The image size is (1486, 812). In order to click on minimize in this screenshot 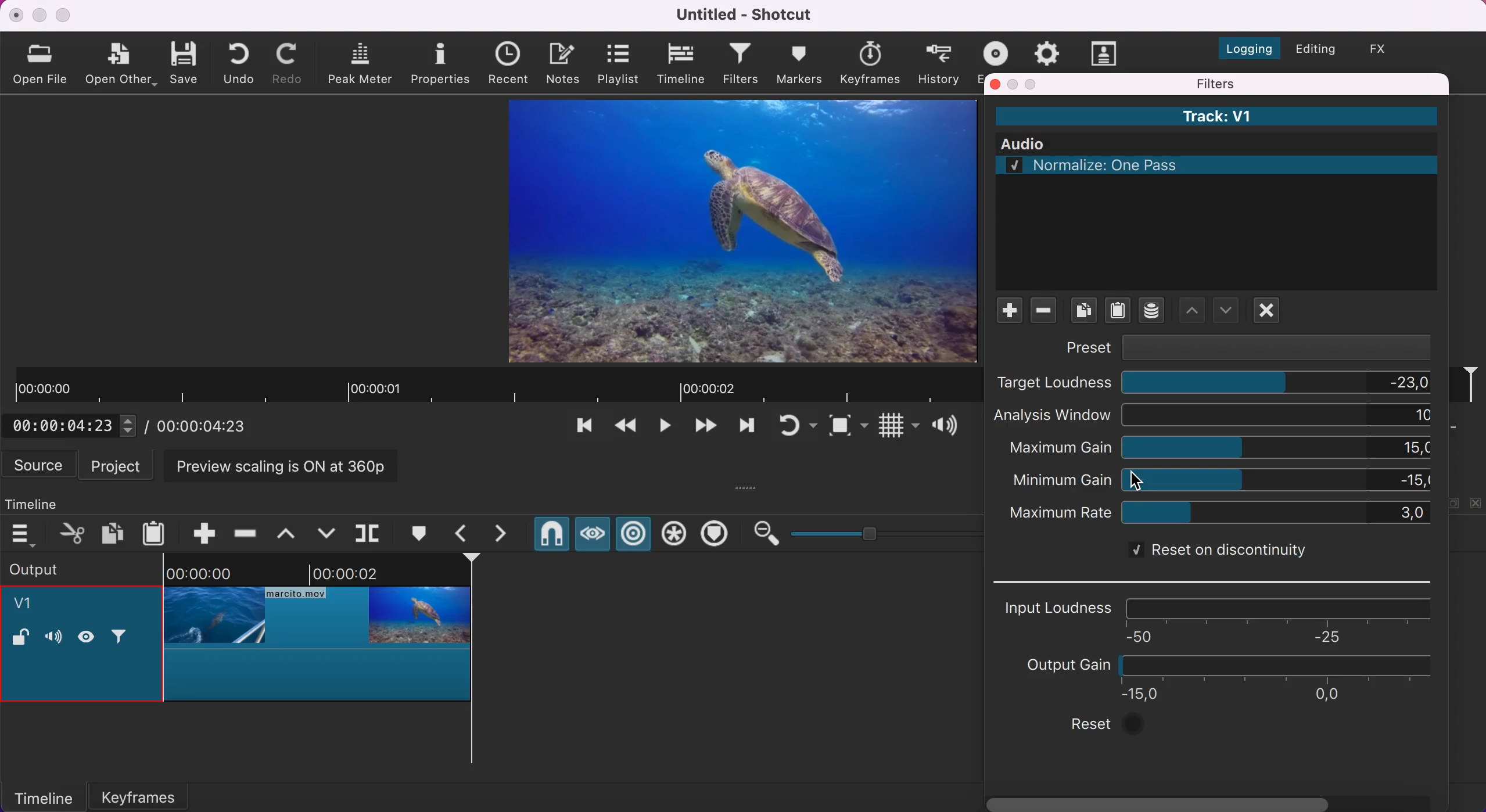, I will do `click(39, 15)`.